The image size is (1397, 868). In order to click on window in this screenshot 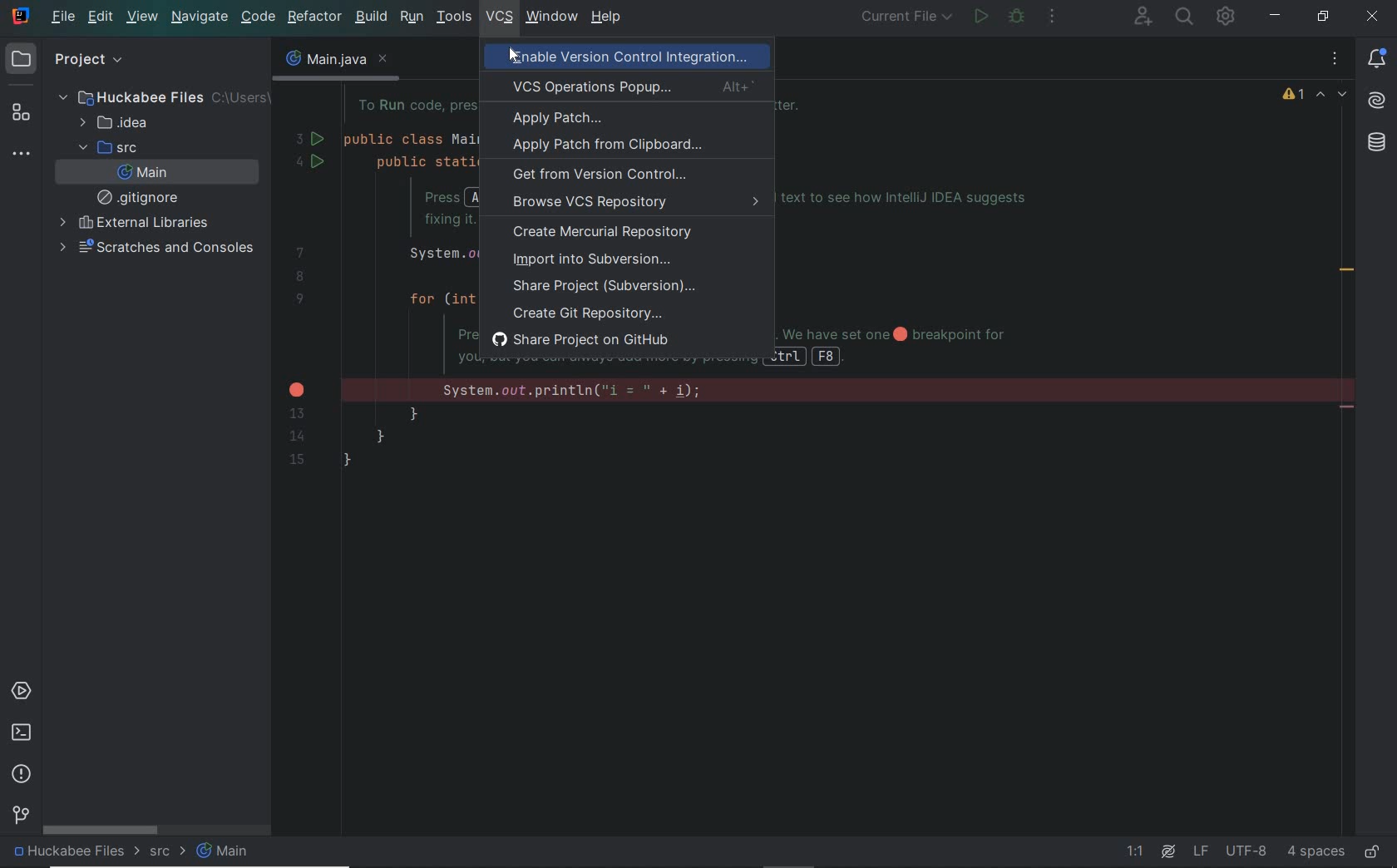, I will do `click(551, 17)`.